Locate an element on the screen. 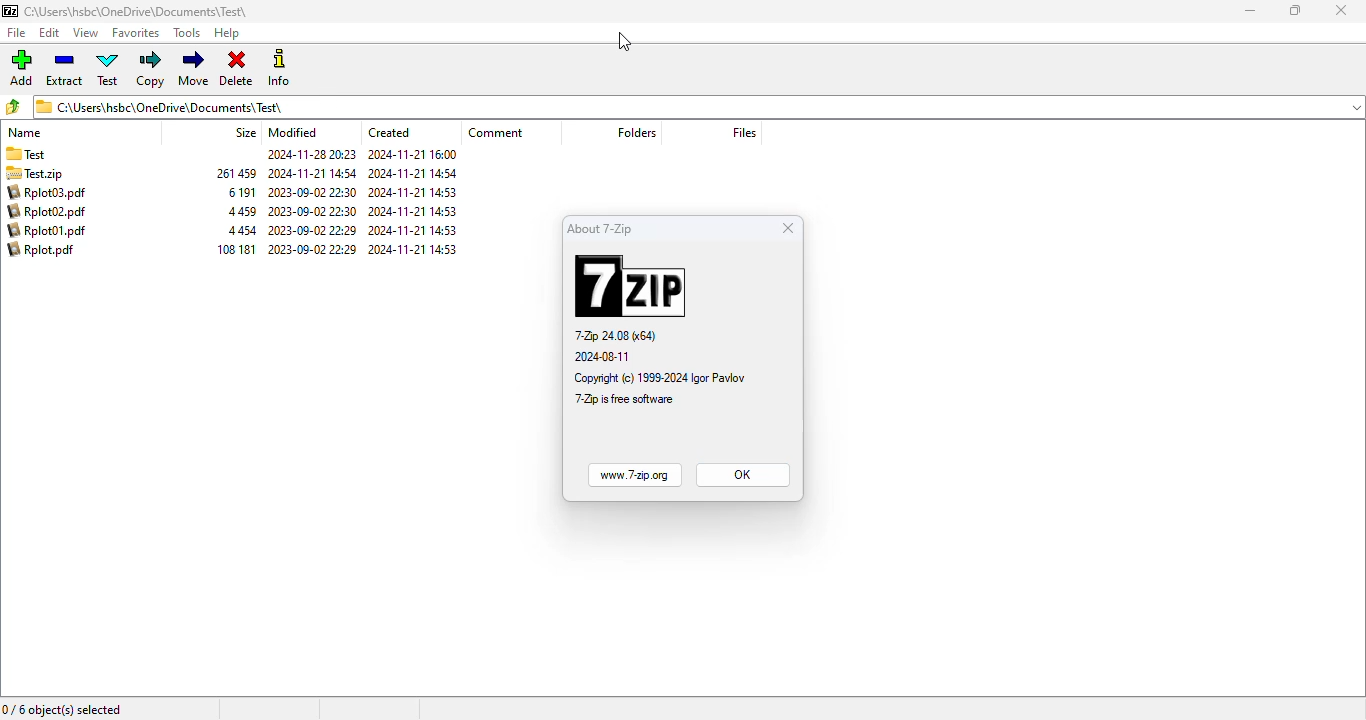  cursor is located at coordinates (624, 42).